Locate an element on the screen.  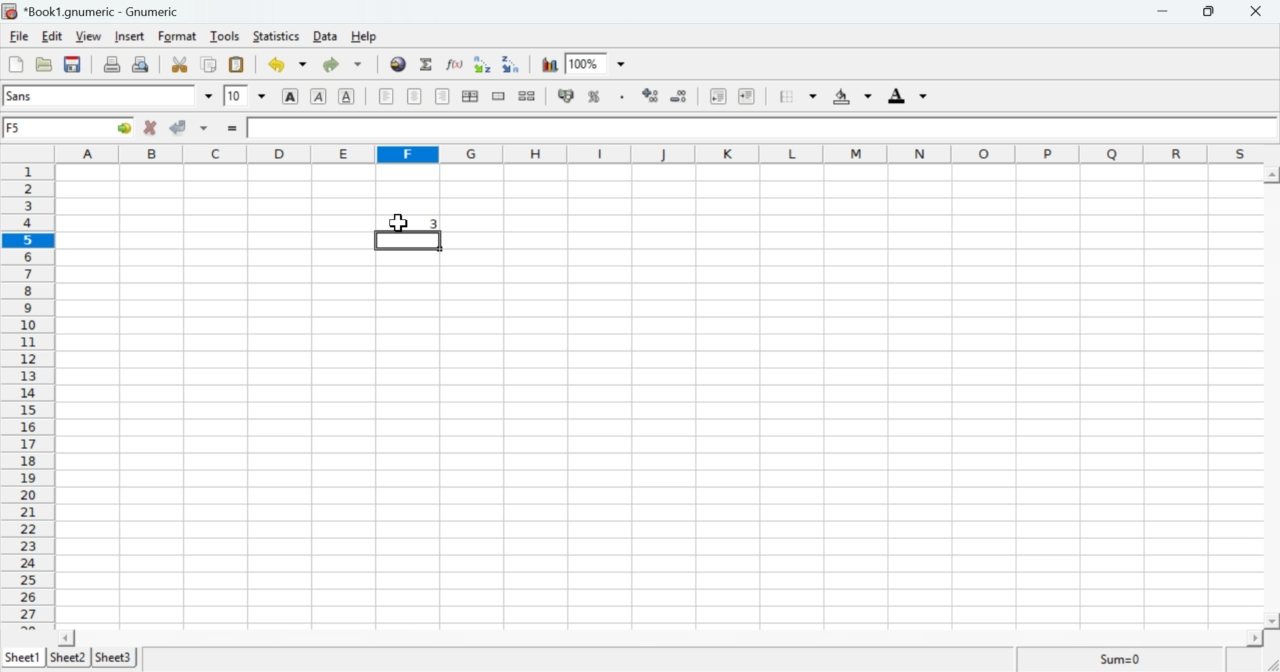
Paste is located at coordinates (238, 63).